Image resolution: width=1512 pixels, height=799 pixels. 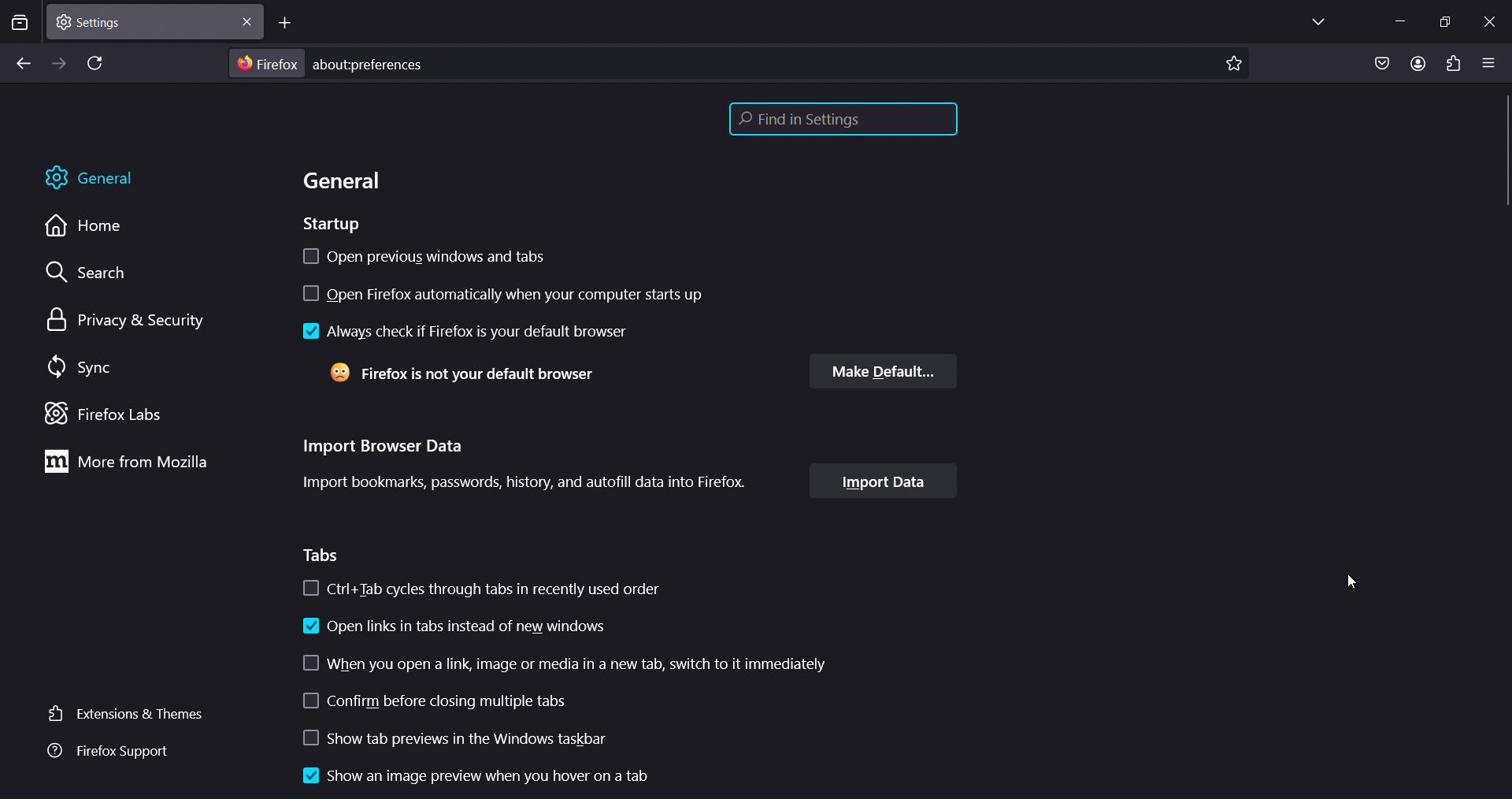 What do you see at coordinates (87, 231) in the screenshot?
I see `home` at bounding box center [87, 231].